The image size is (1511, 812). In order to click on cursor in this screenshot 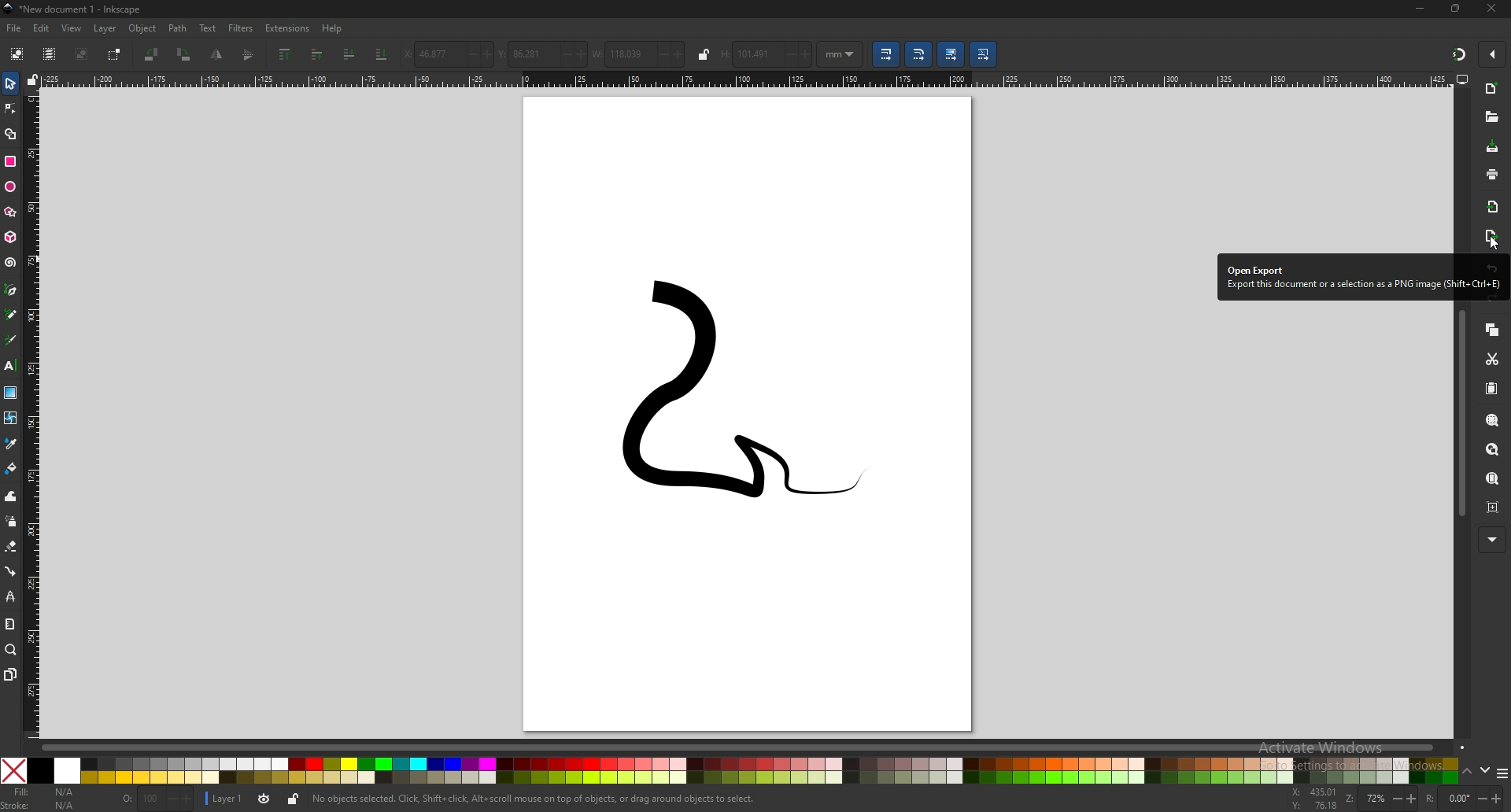, I will do `click(1490, 245)`.